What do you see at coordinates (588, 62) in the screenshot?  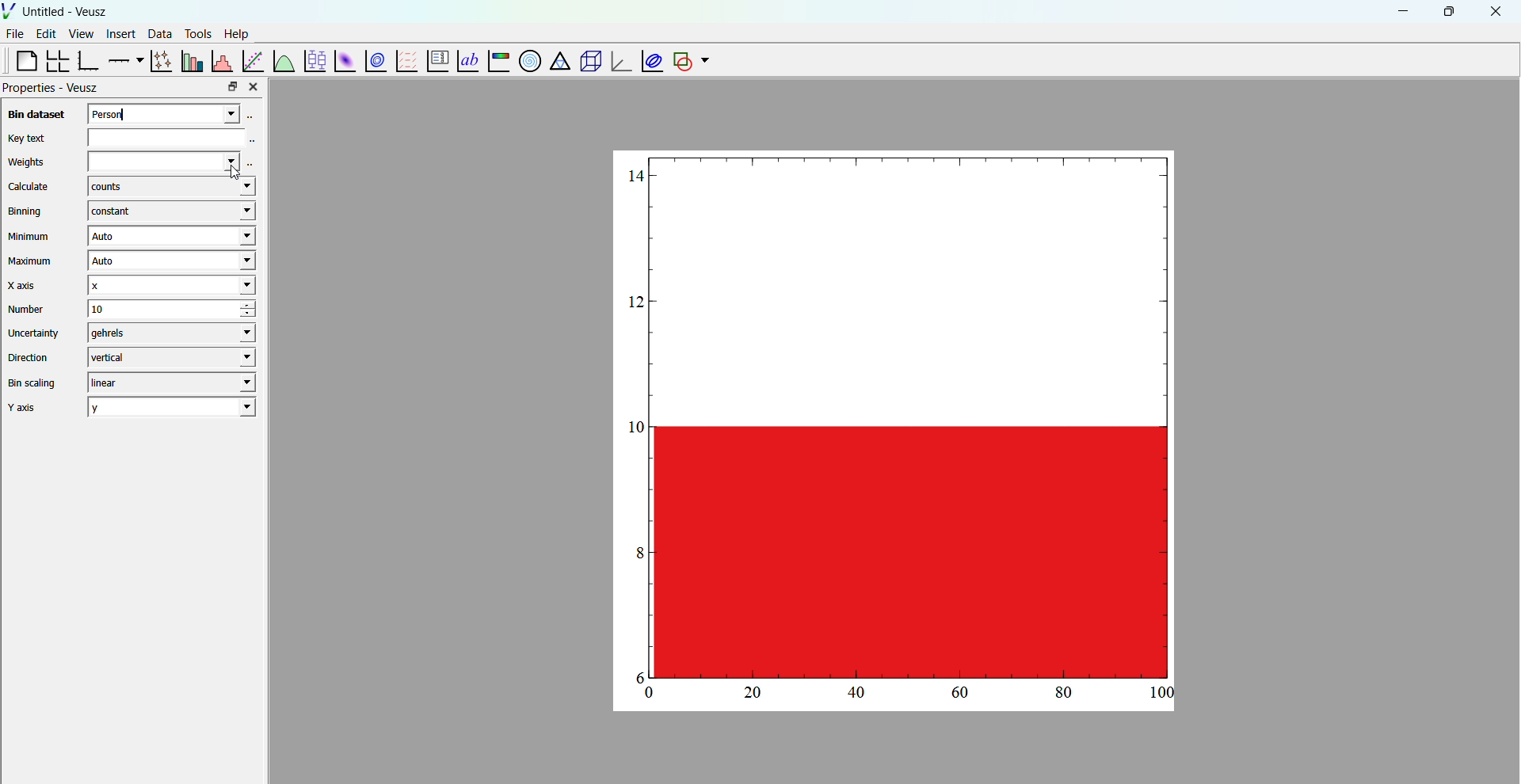 I see `3d scene` at bounding box center [588, 62].